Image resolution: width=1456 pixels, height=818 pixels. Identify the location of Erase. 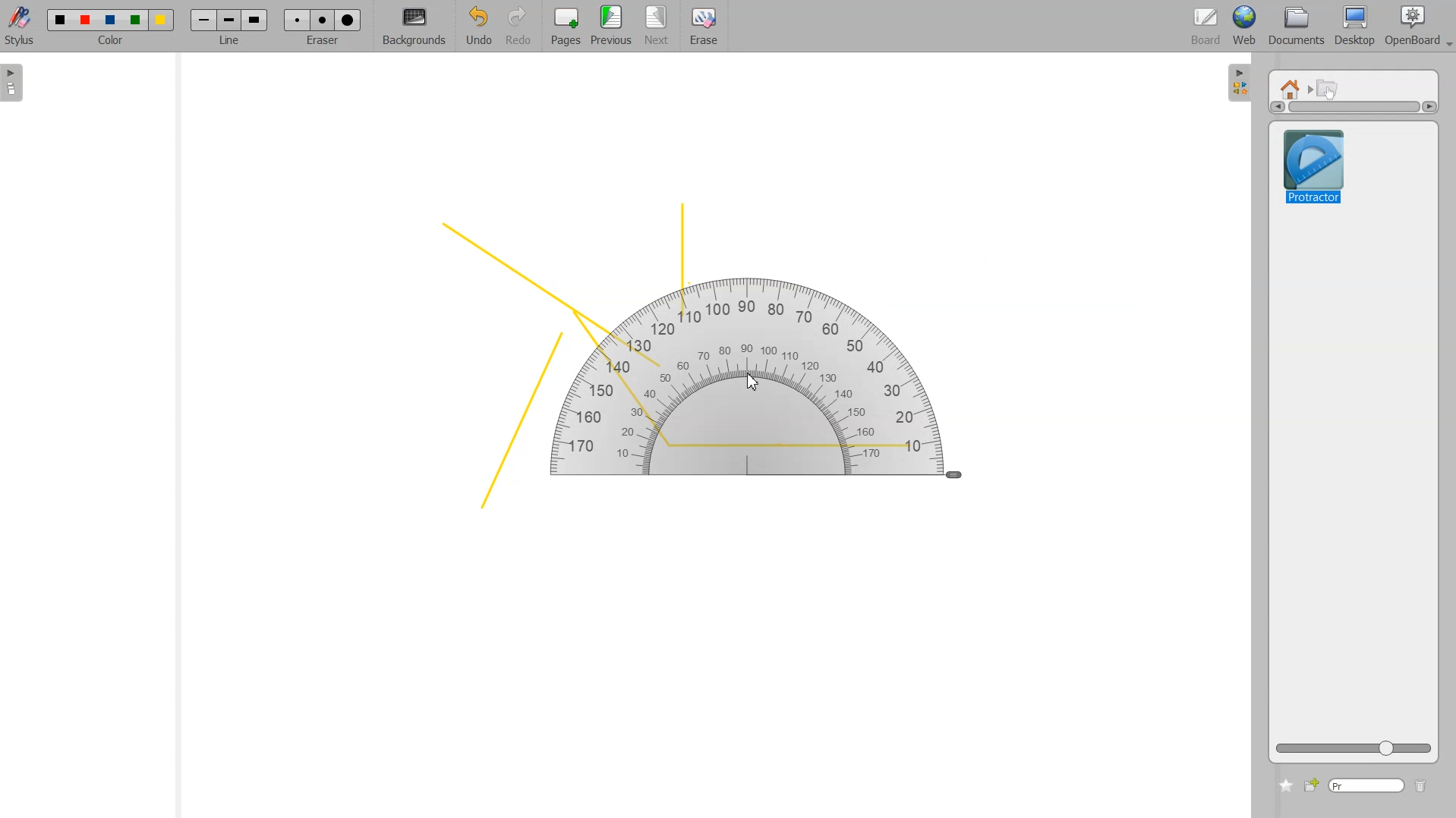
(703, 27).